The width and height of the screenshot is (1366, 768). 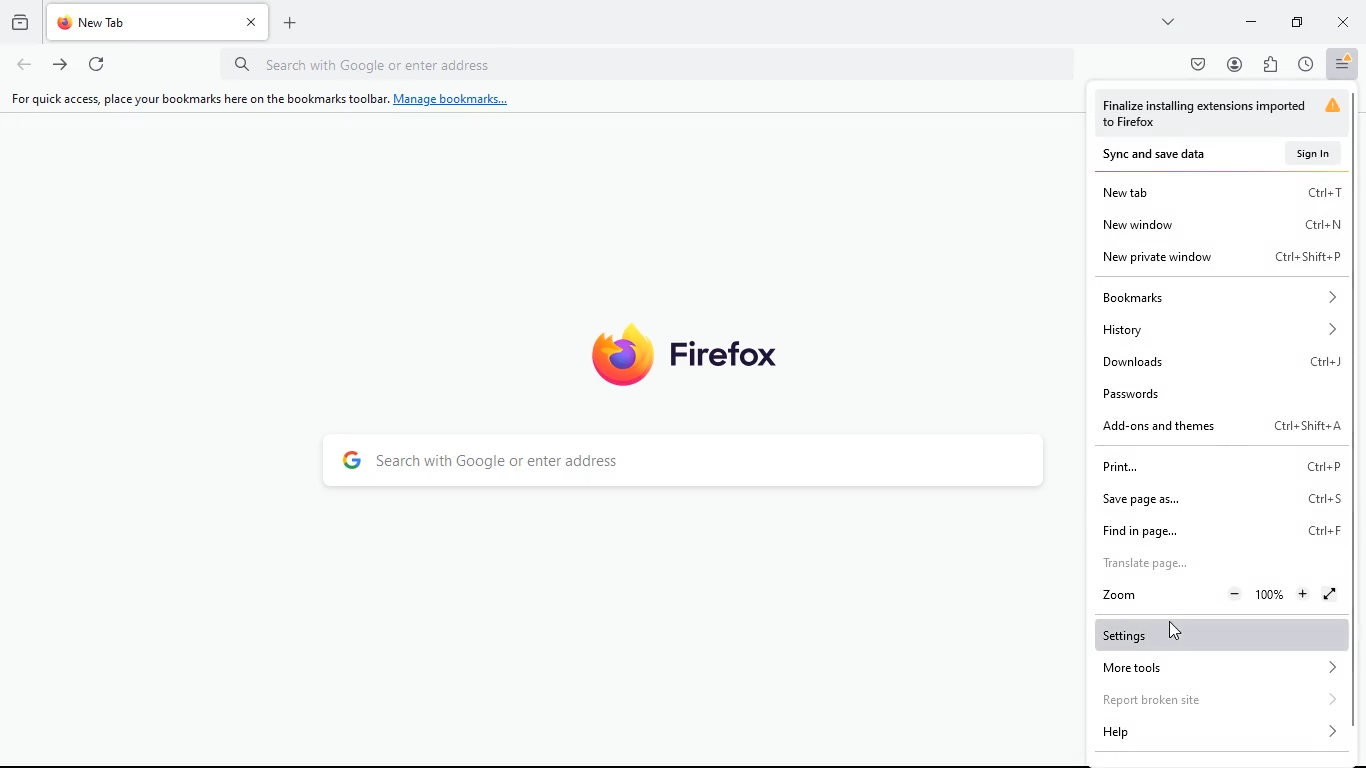 What do you see at coordinates (1272, 594) in the screenshot?
I see `Zoom Percentage` at bounding box center [1272, 594].